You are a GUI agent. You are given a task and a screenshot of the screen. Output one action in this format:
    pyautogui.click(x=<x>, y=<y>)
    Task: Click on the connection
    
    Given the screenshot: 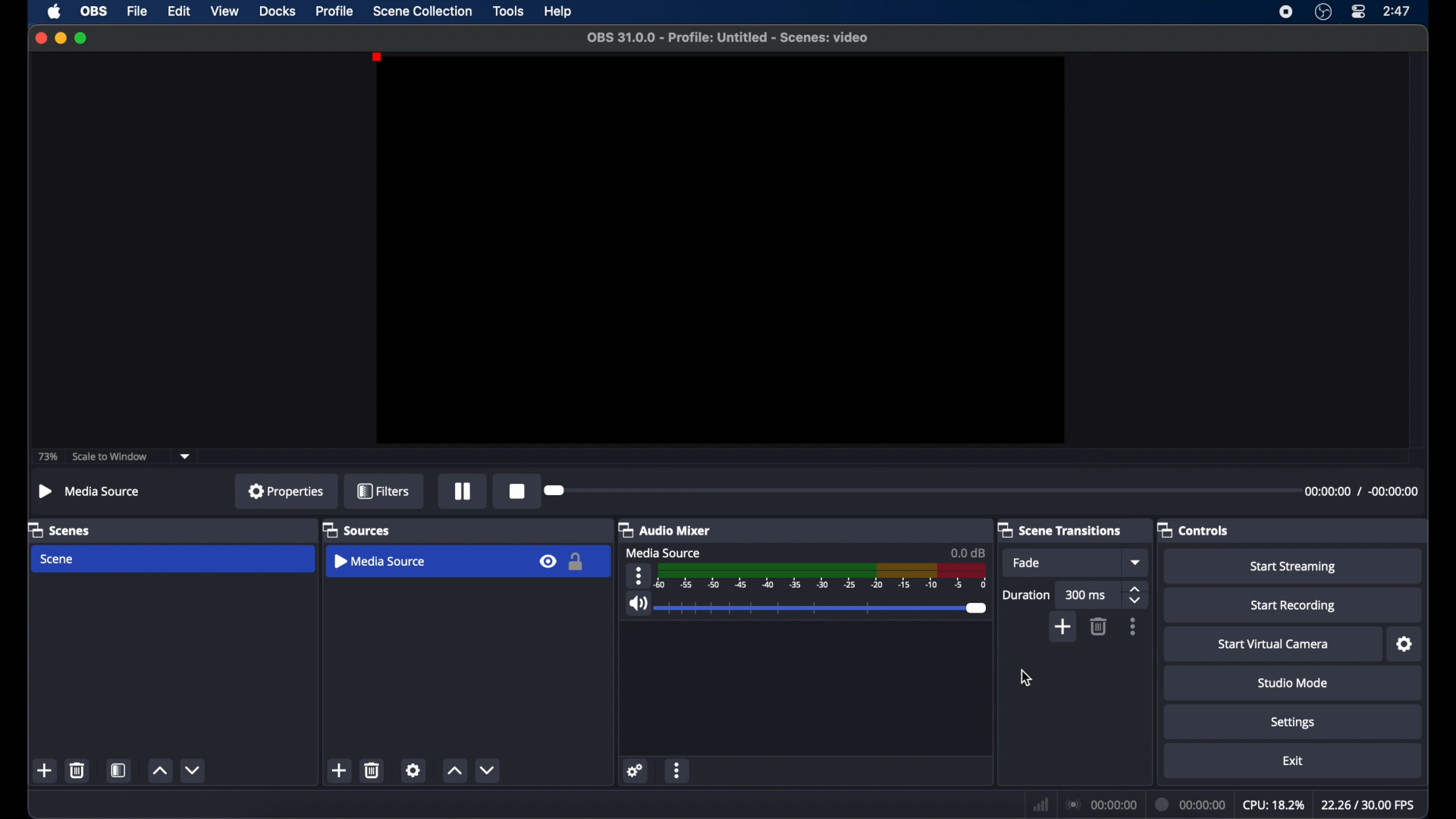 What is the action you would take?
    pyautogui.click(x=1102, y=805)
    